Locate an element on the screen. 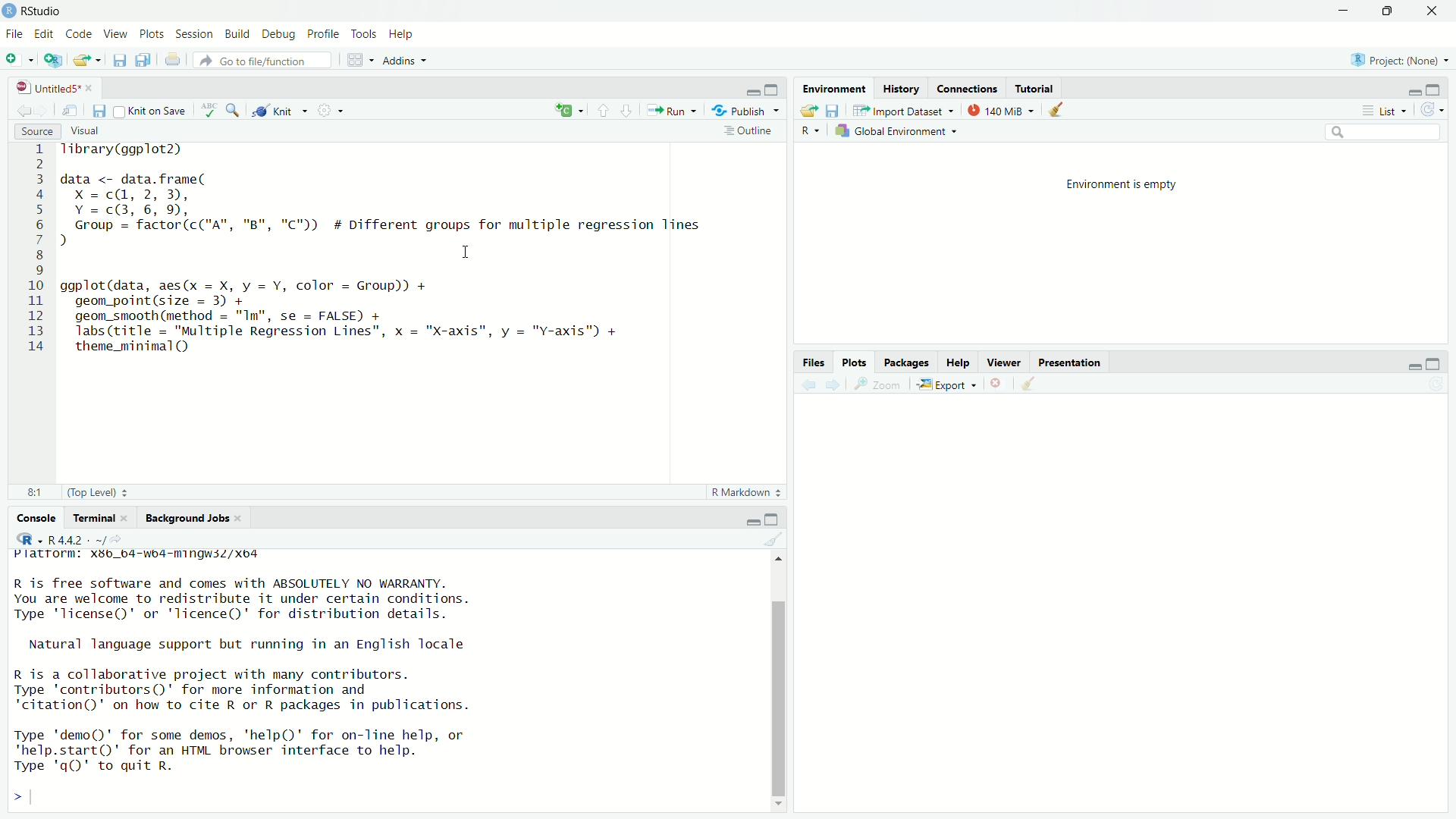 The width and height of the screenshot is (1456, 819). Environment is located at coordinates (835, 89).